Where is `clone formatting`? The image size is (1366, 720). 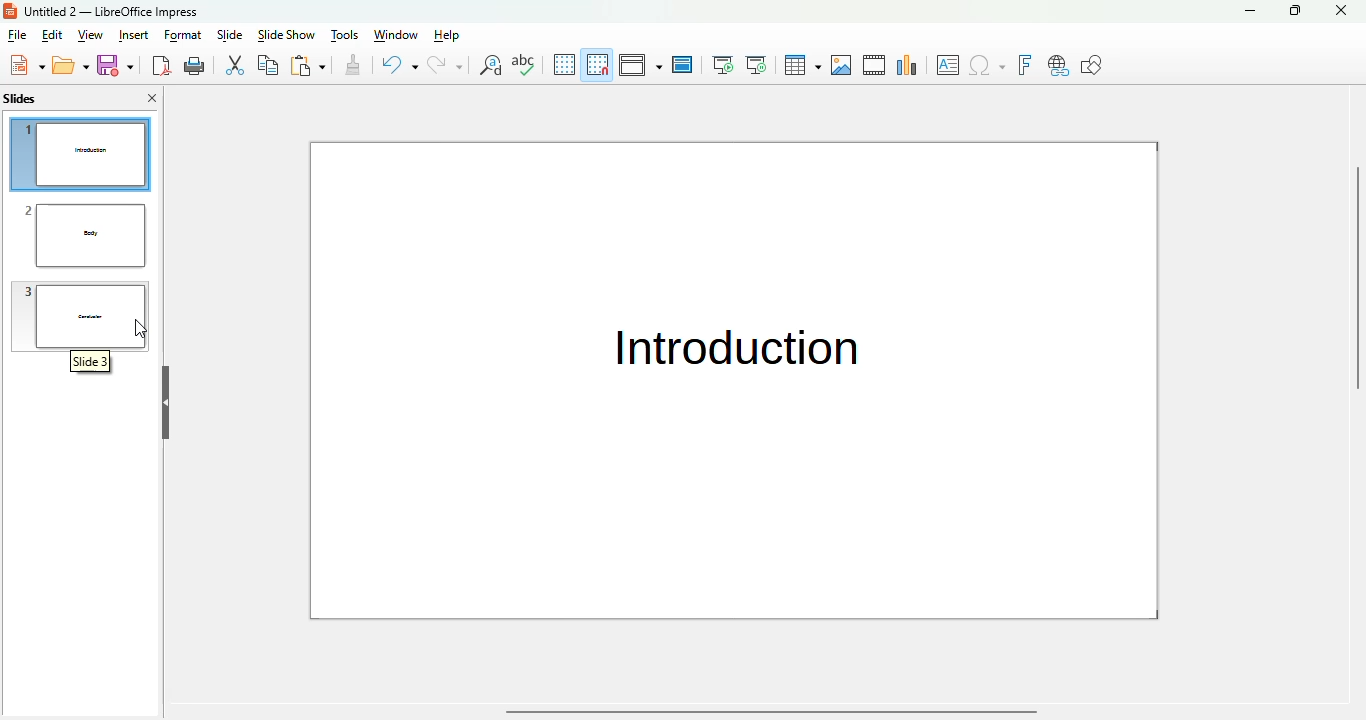 clone formatting is located at coordinates (353, 64).